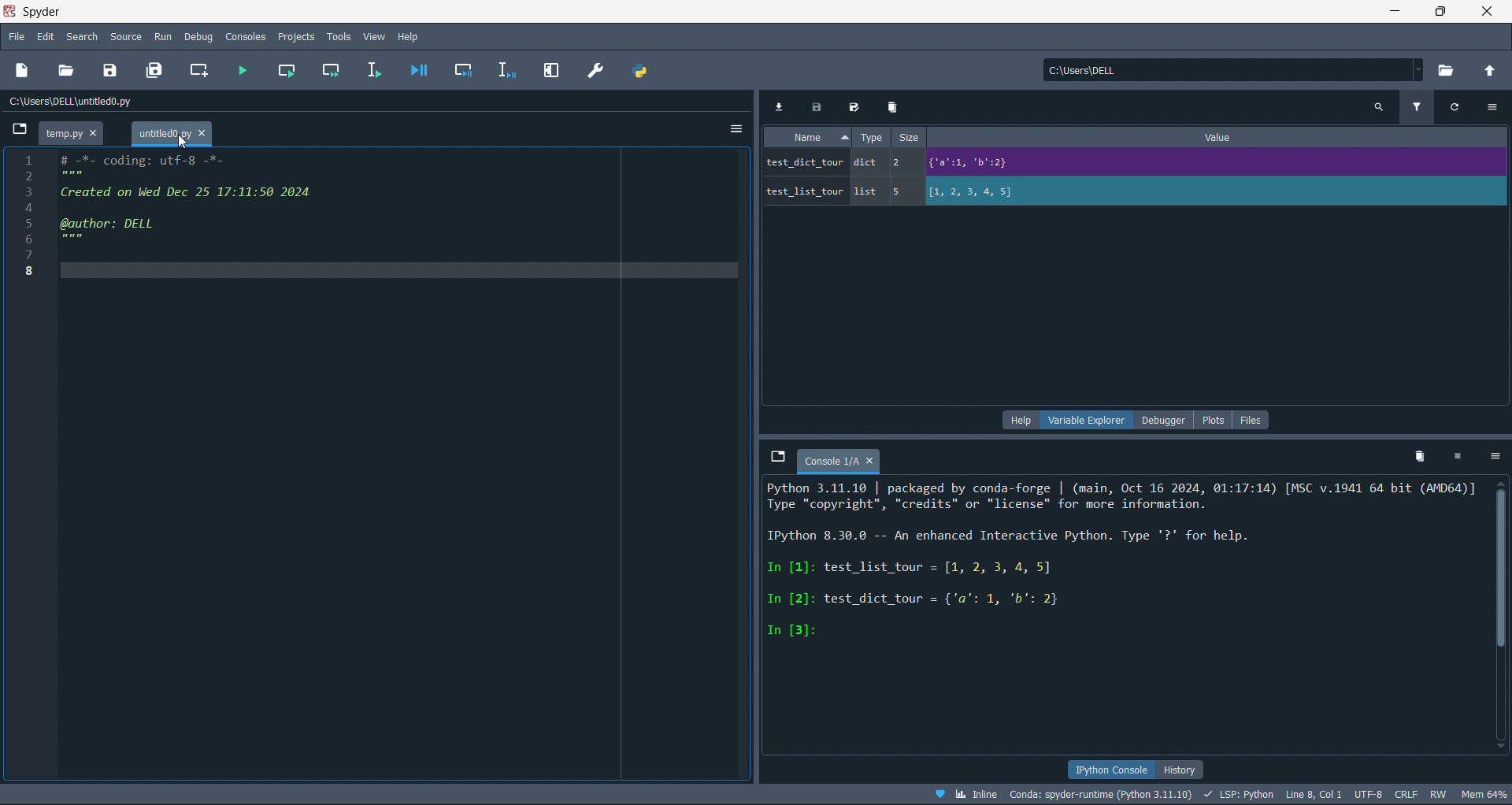 The height and width of the screenshot is (805, 1512). Describe the element at coordinates (990, 163) in the screenshot. I see `test dict tour dict 2 {'a':1, 'b':2}` at that location.